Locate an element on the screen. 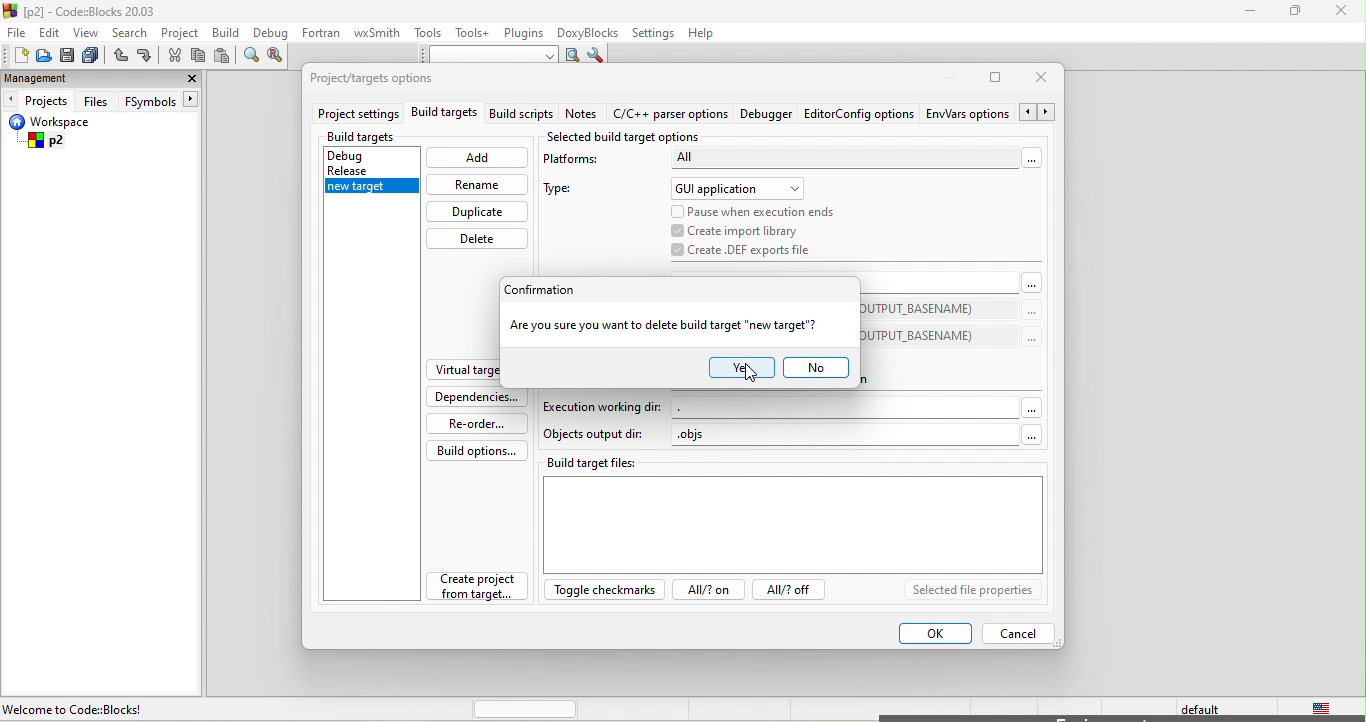 This screenshot has width=1366, height=722. replace is located at coordinates (279, 60).